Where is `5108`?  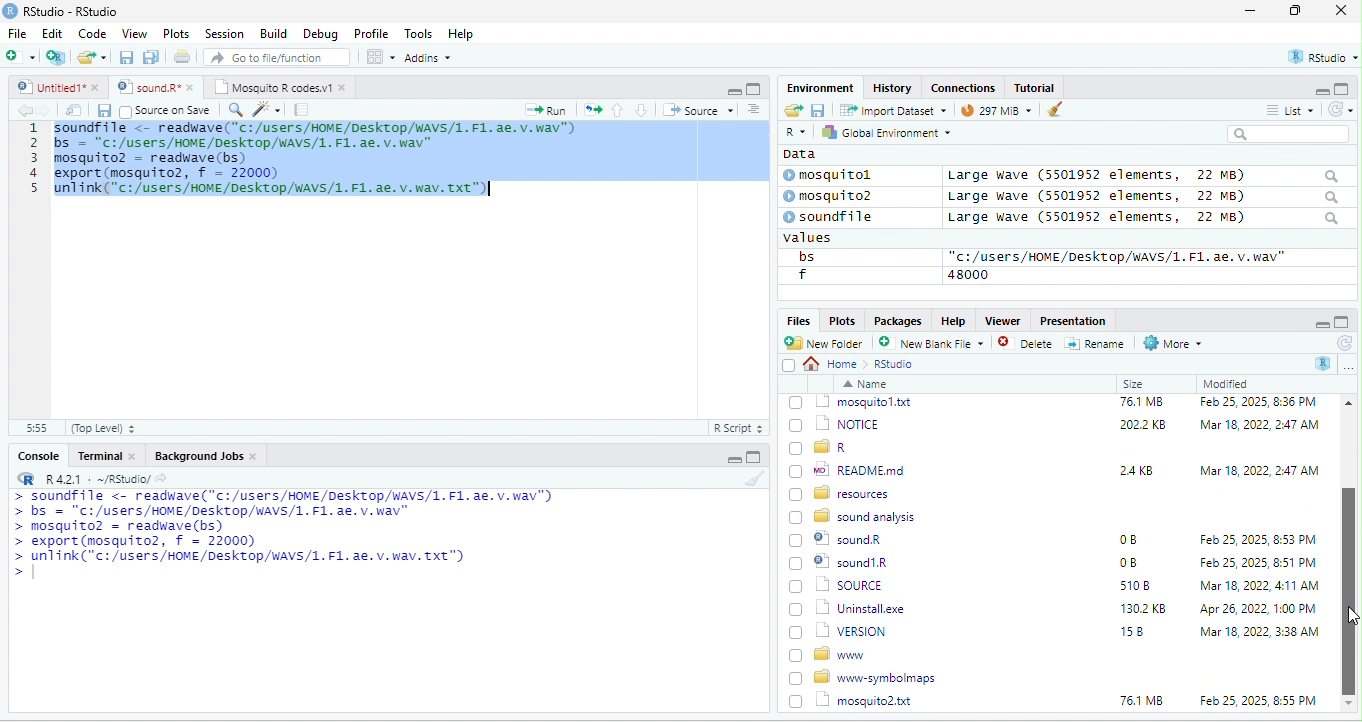
5108 is located at coordinates (1130, 680).